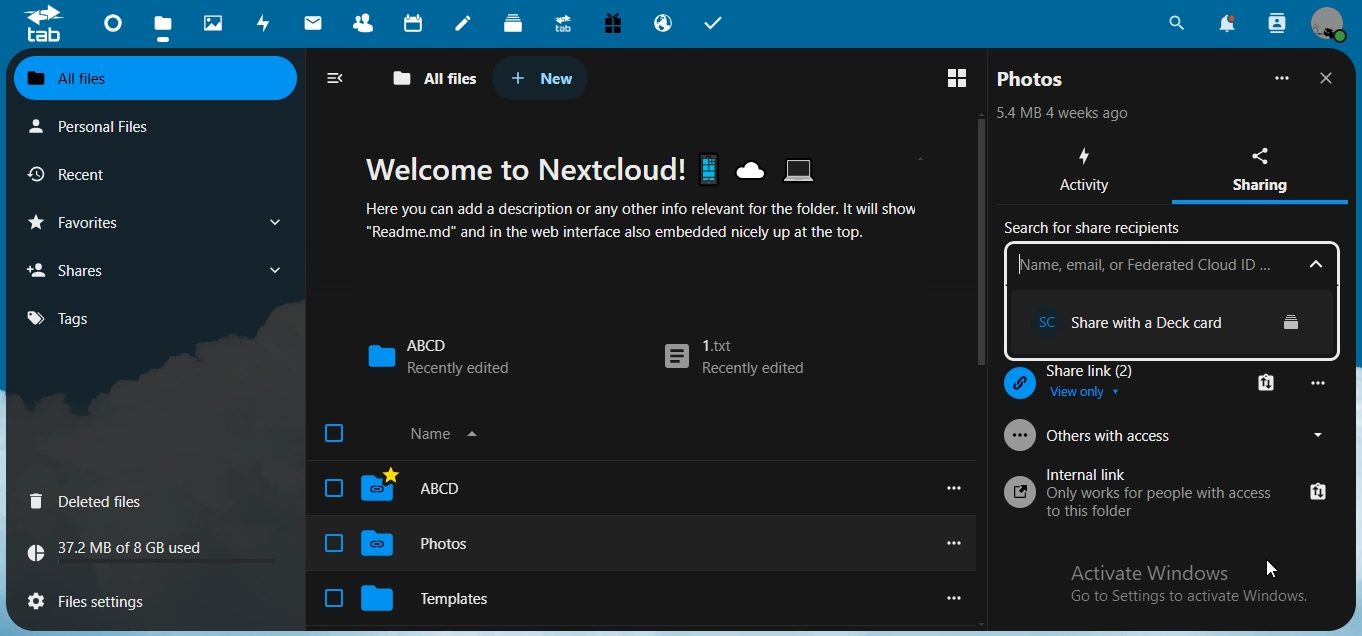  I want to click on notes, so click(462, 24).